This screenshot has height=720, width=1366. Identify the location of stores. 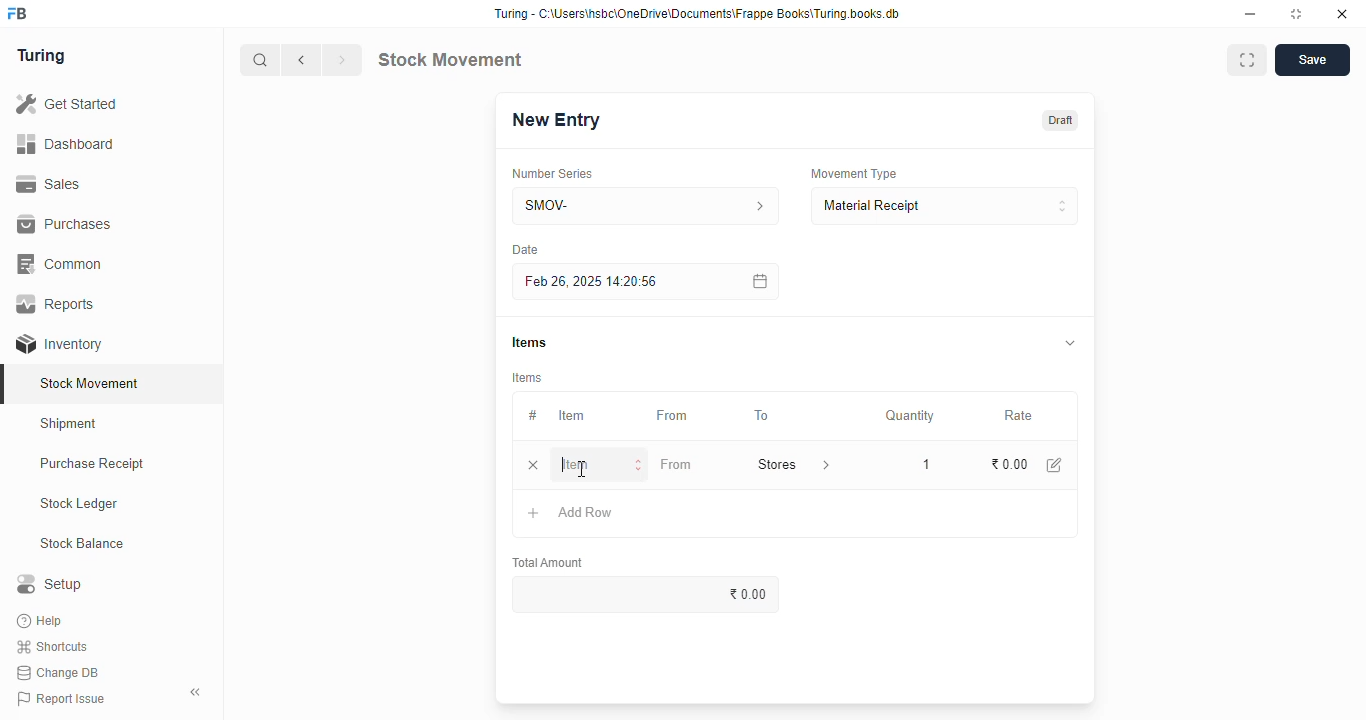
(793, 464).